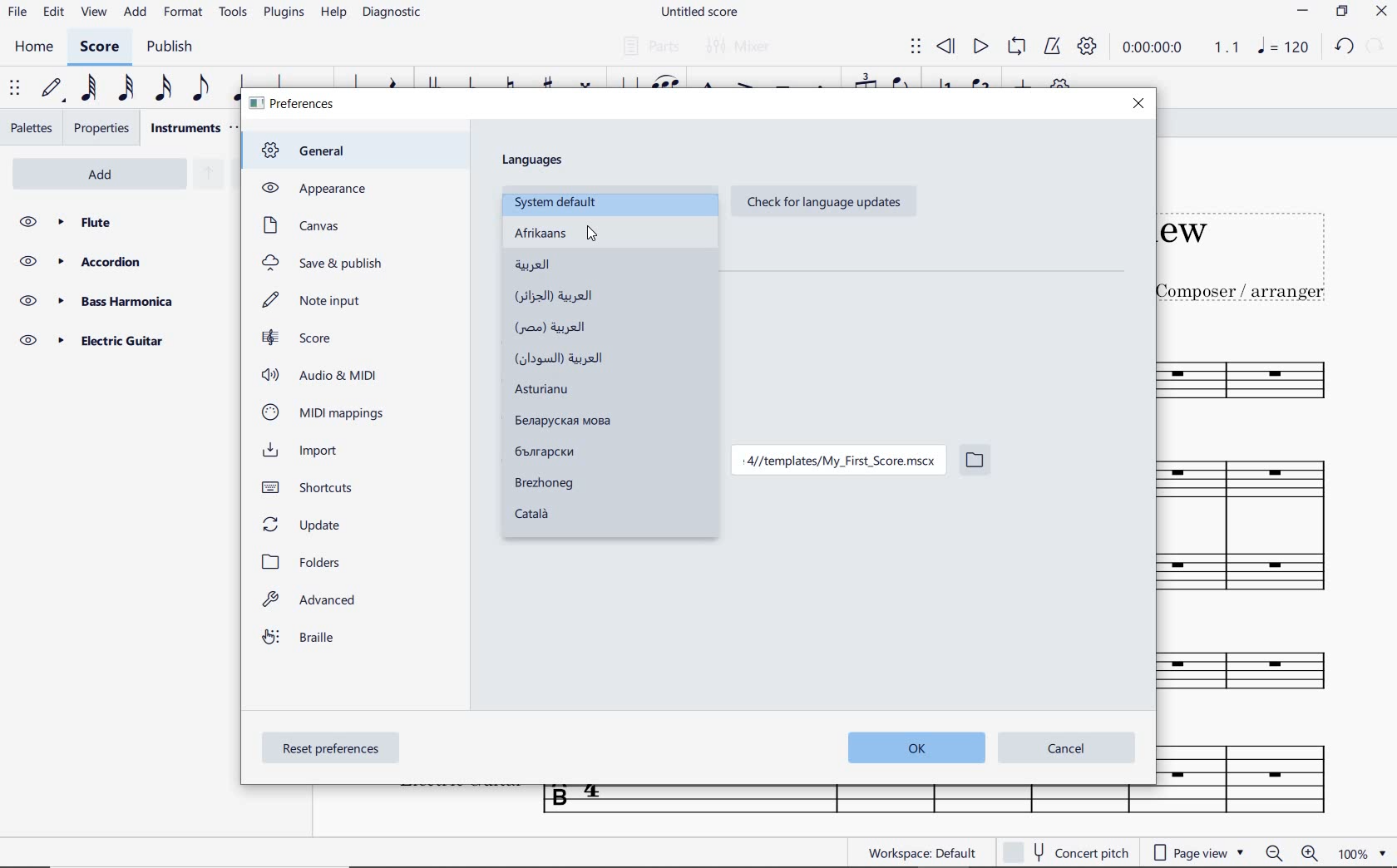 This screenshot has width=1397, height=868. Describe the element at coordinates (315, 300) in the screenshot. I see `note input` at that location.